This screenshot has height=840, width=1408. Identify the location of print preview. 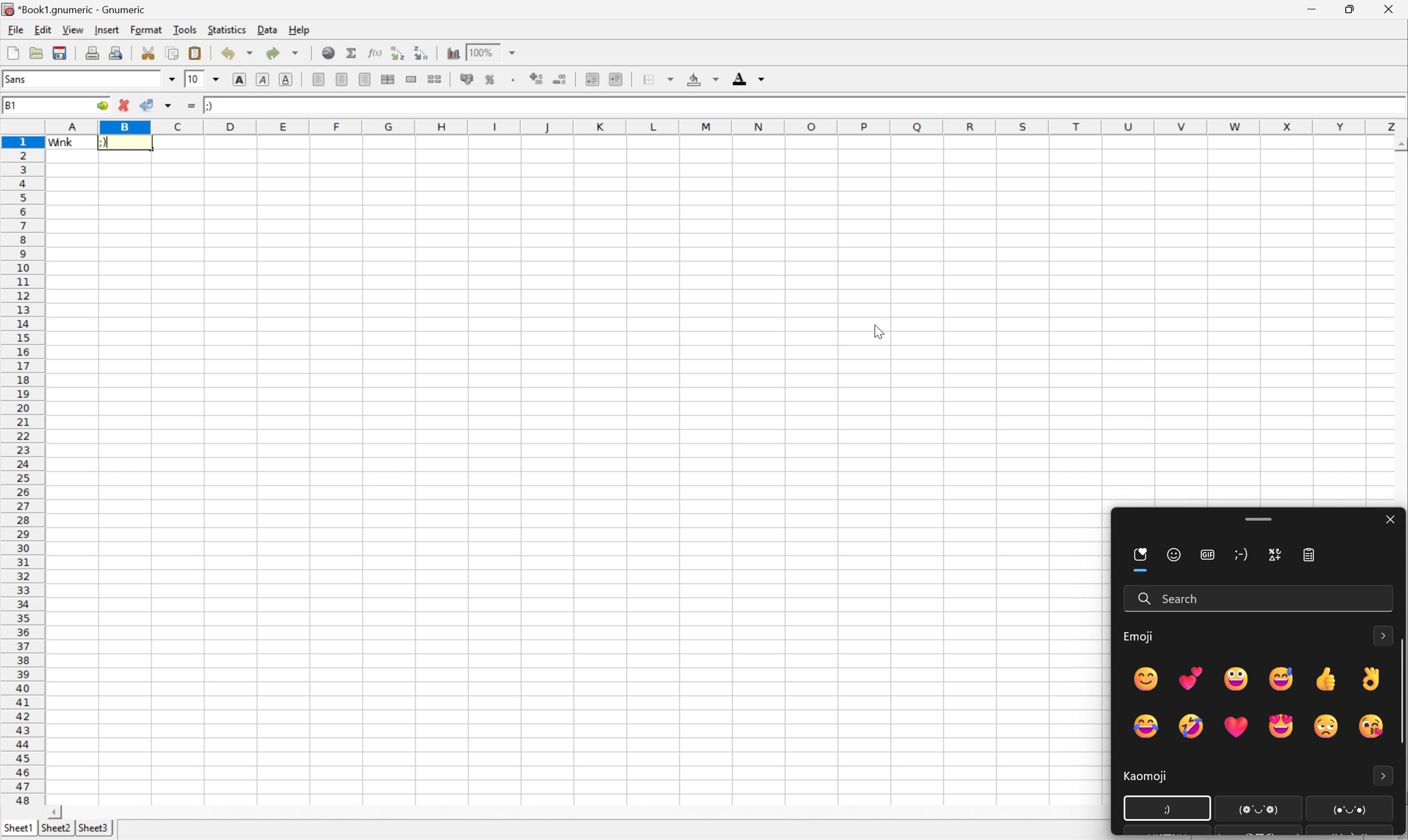
(117, 52).